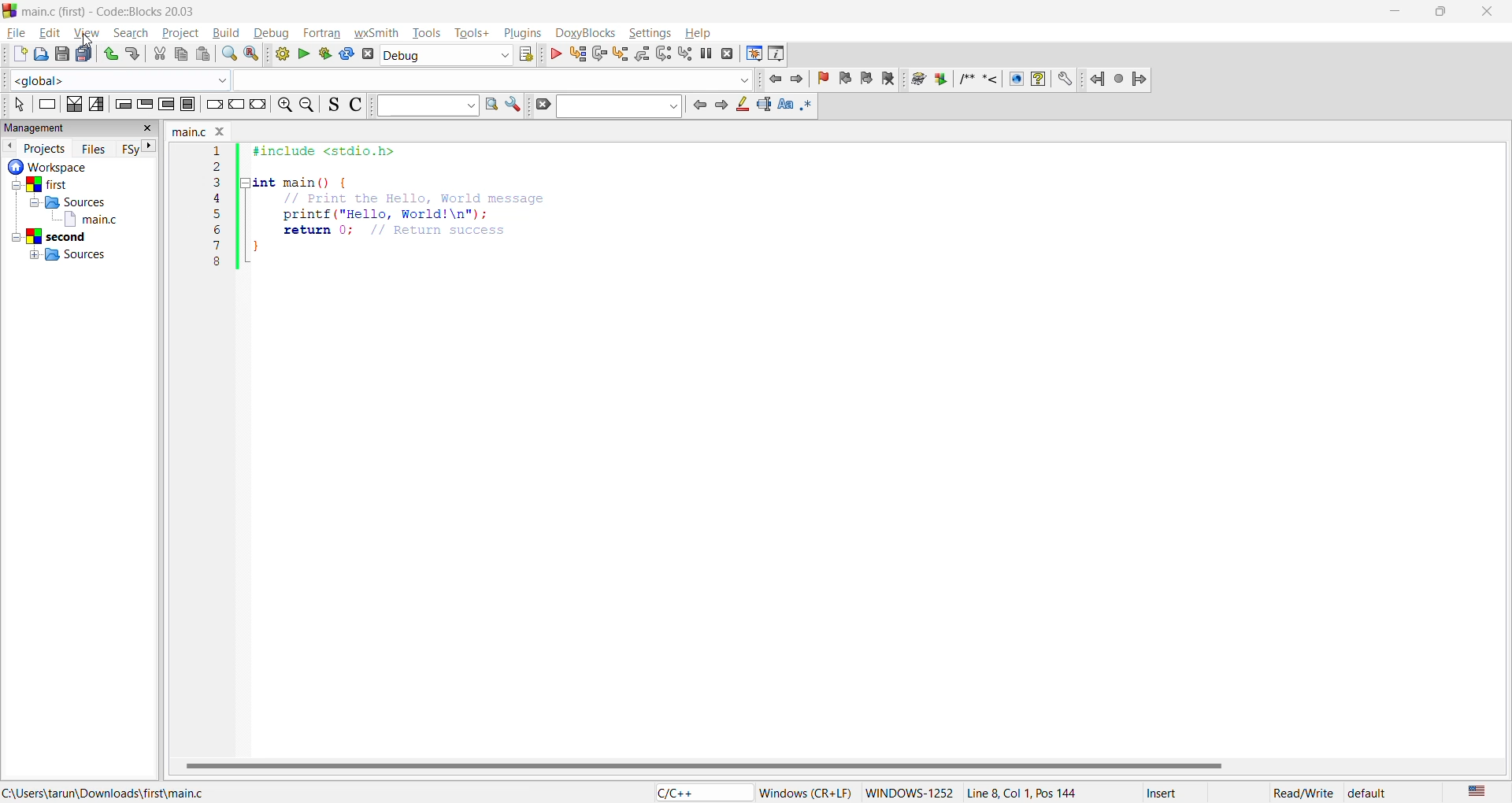  What do you see at coordinates (866, 79) in the screenshot?
I see `next bookmark` at bounding box center [866, 79].